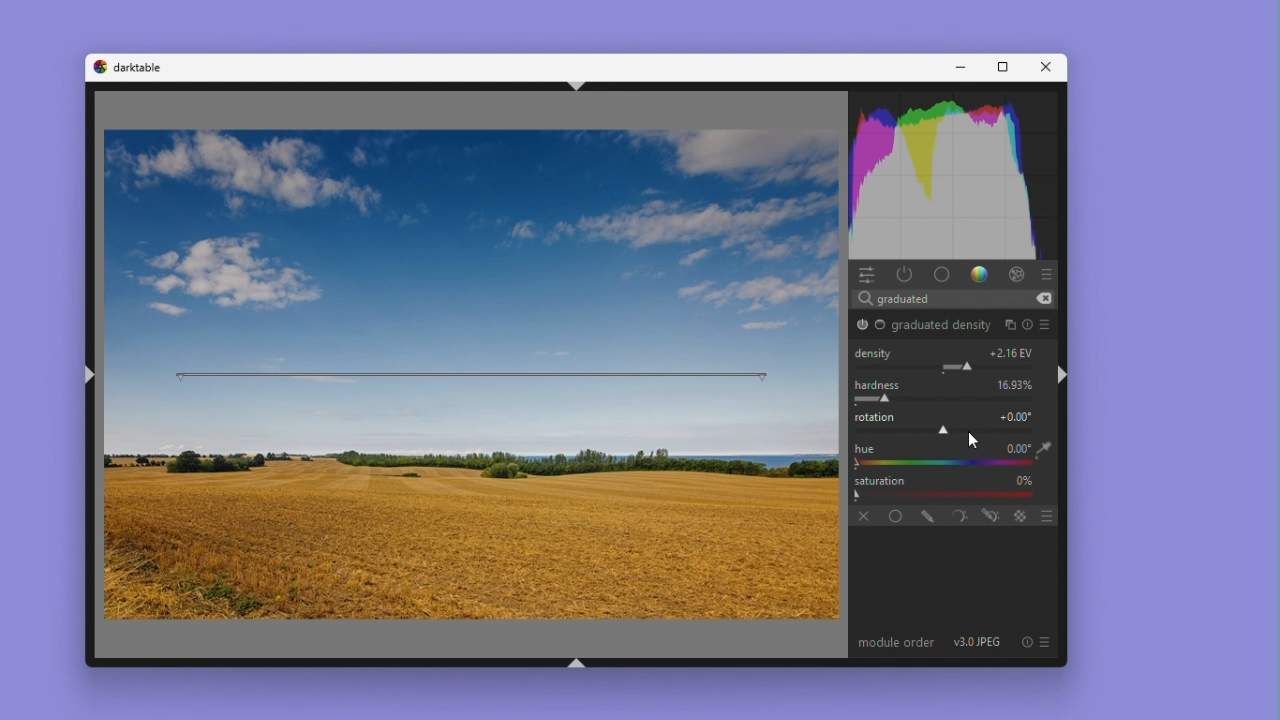 The width and height of the screenshot is (1280, 720). I want to click on eyedropper tool logo, so click(1045, 449).